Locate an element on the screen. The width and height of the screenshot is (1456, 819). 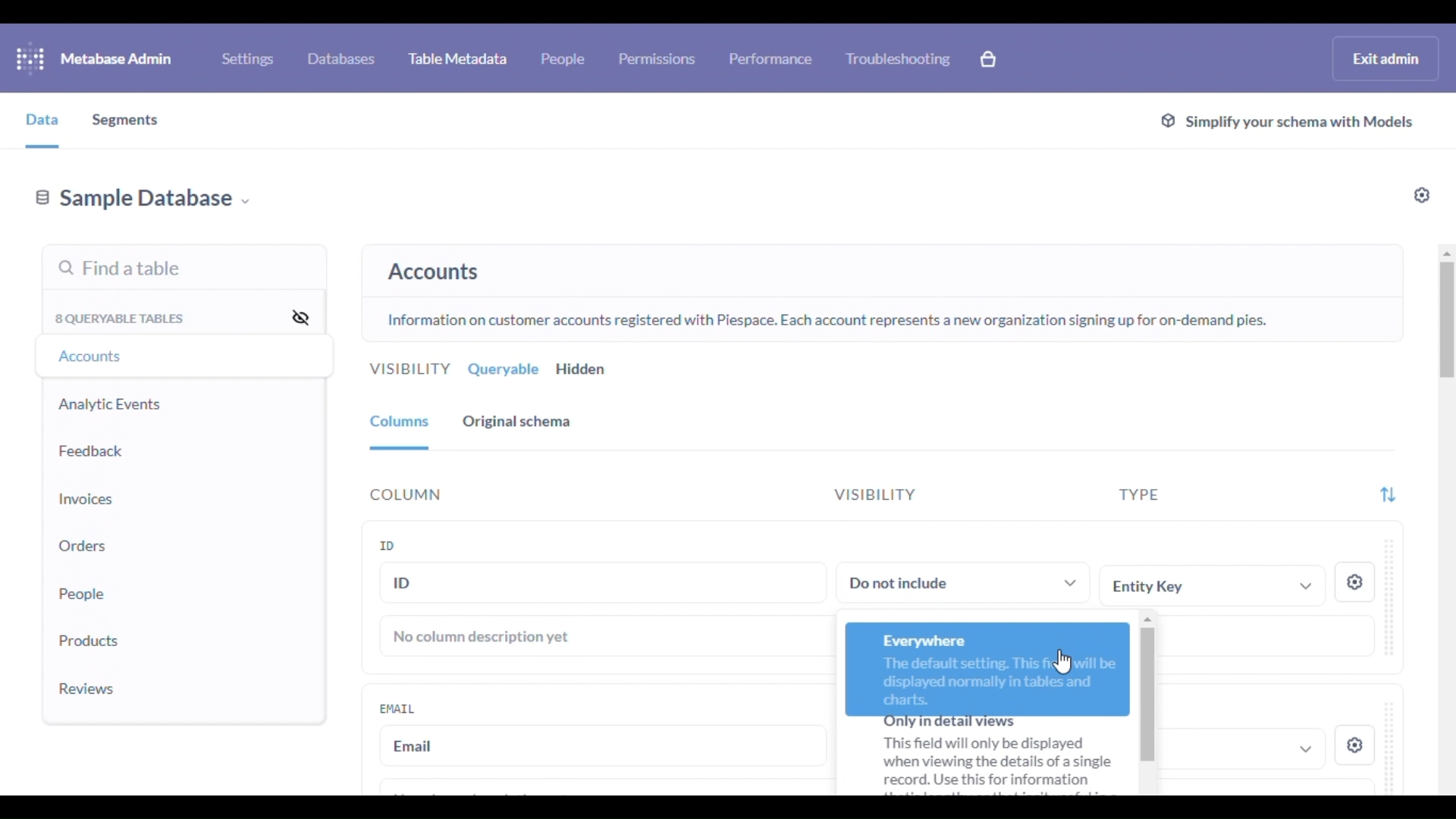
vertical scroll bar is located at coordinates (1147, 691).